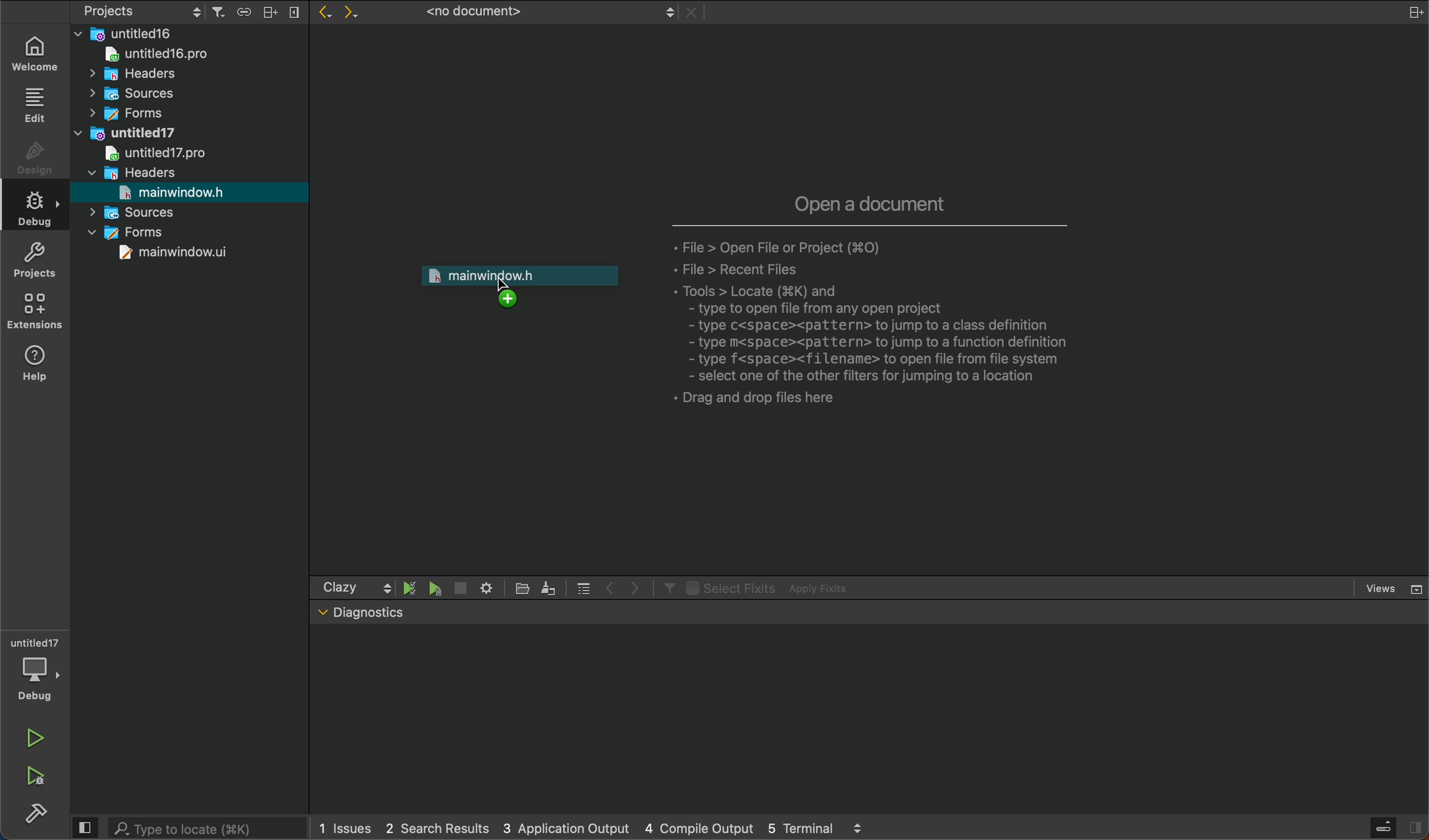 The width and height of the screenshot is (1429, 840). Describe the element at coordinates (172, 192) in the screenshot. I see `mainwindow.h` at that location.